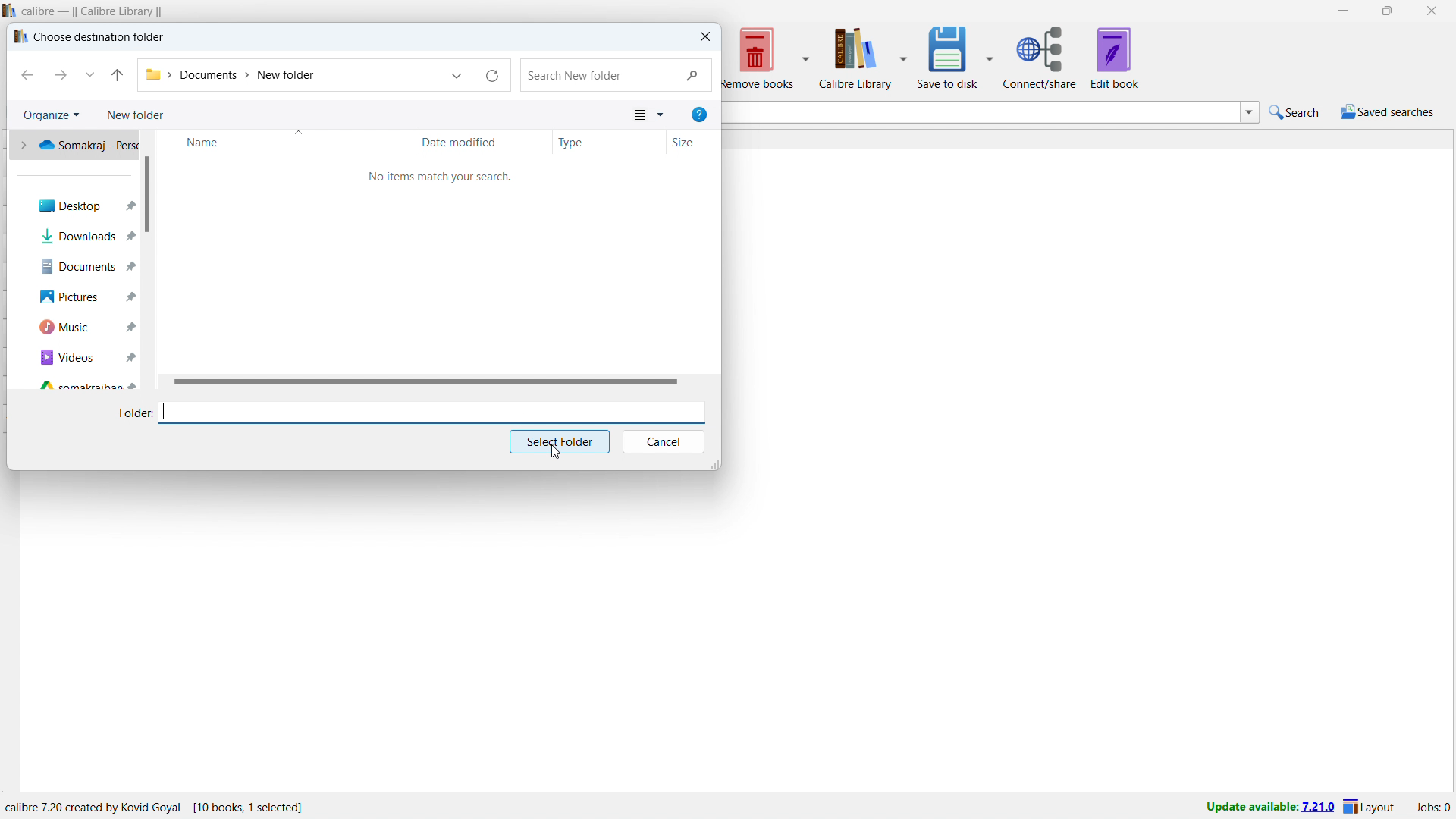  I want to click on remove books, so click(761, 56).